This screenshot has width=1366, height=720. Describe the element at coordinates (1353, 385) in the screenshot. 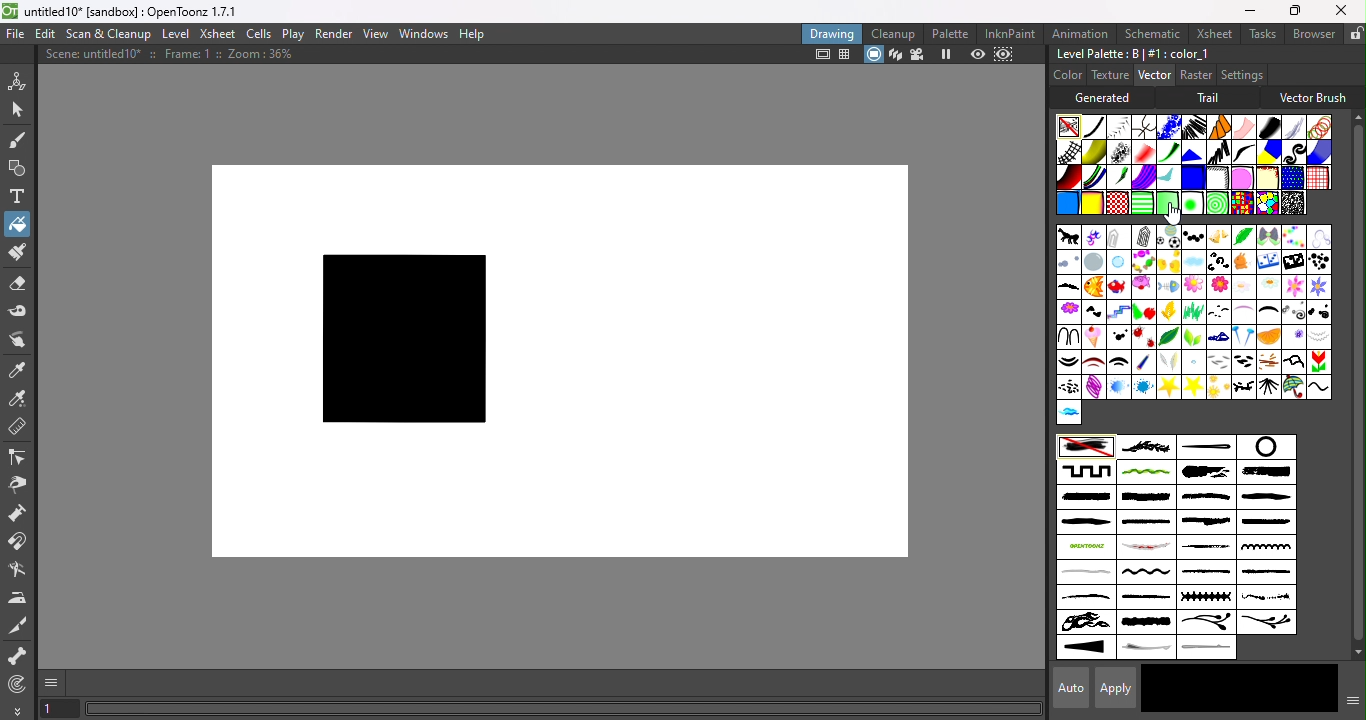

I see `vertical scroll bar` at that location.